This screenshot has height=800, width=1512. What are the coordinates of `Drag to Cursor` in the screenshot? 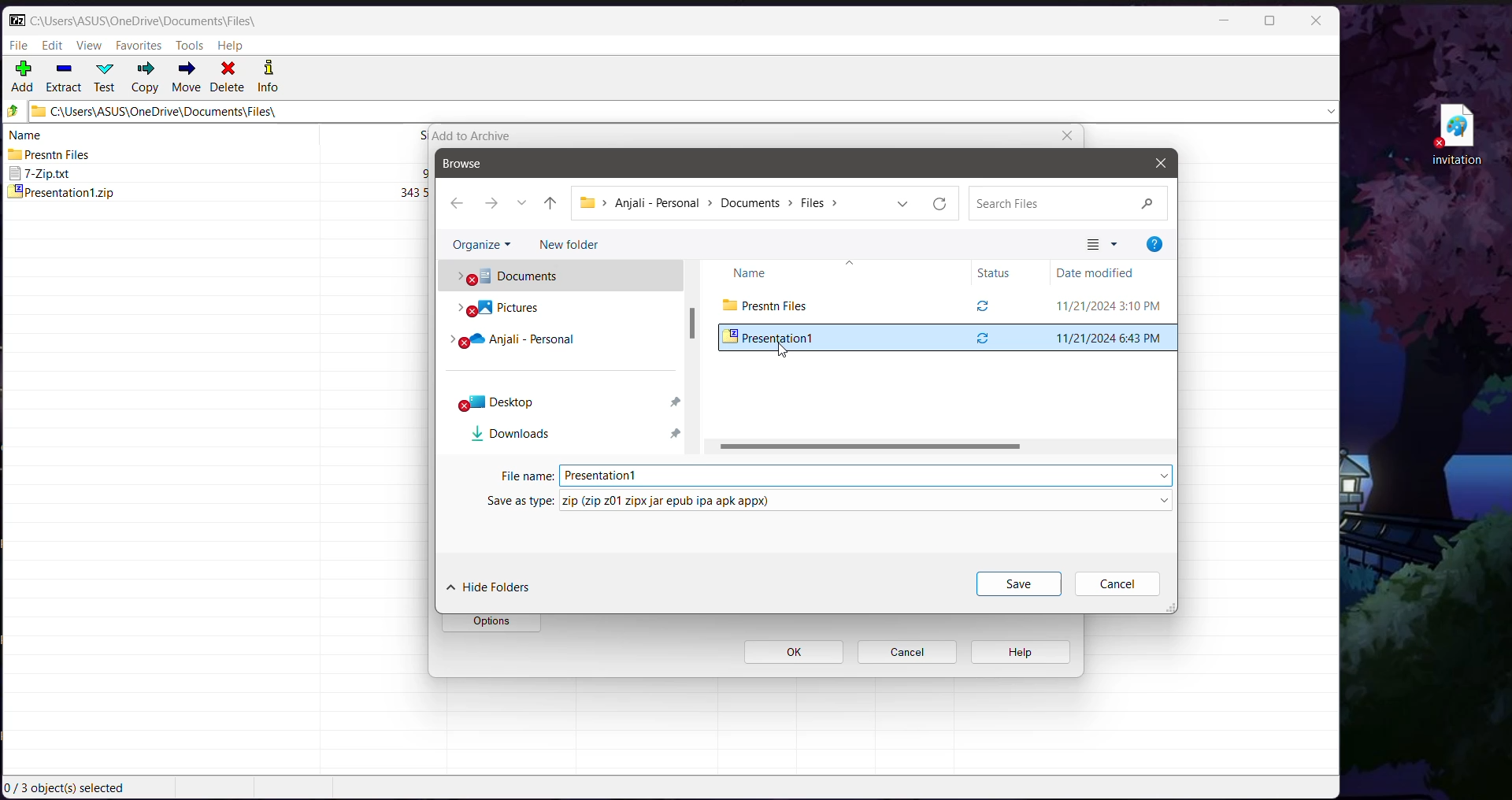 It's located at (782, 350).